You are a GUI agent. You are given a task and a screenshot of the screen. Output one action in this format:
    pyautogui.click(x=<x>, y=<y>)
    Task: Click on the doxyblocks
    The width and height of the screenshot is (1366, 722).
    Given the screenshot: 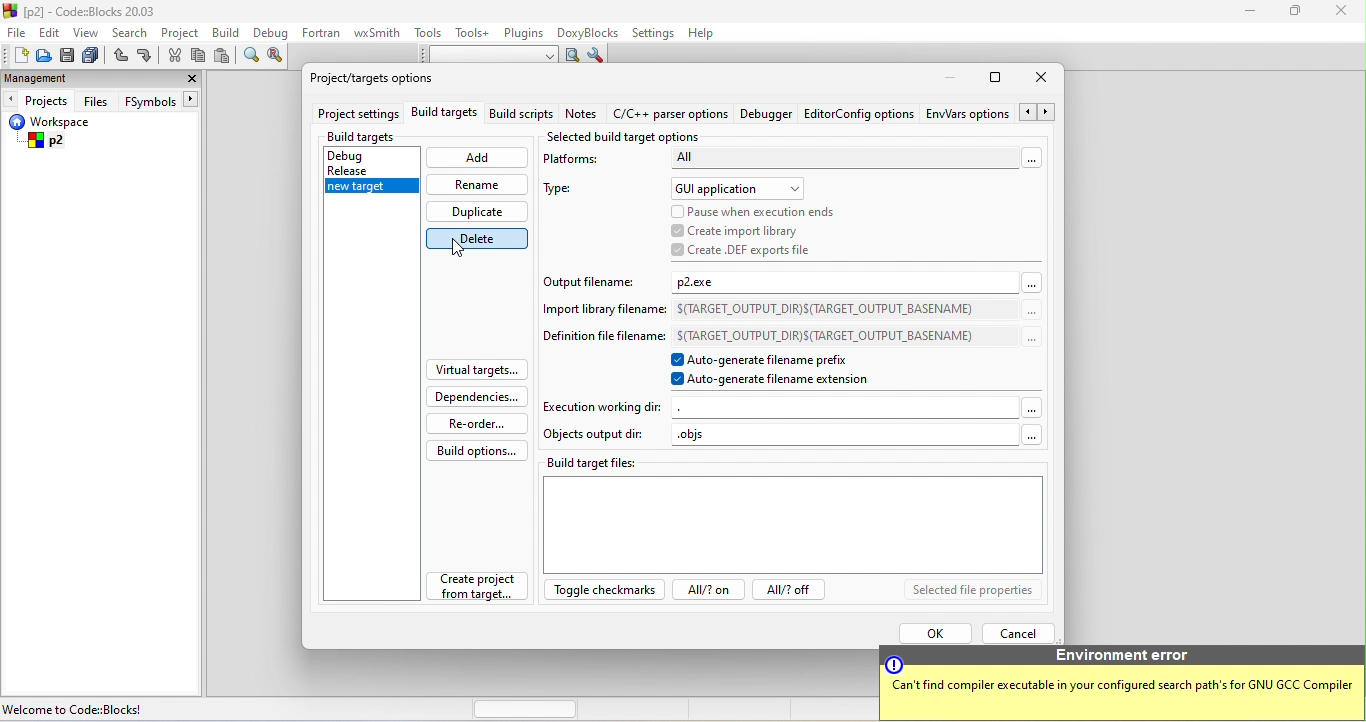 What is the action you would take?
    pyautogui.click(x=591, y=32)
    